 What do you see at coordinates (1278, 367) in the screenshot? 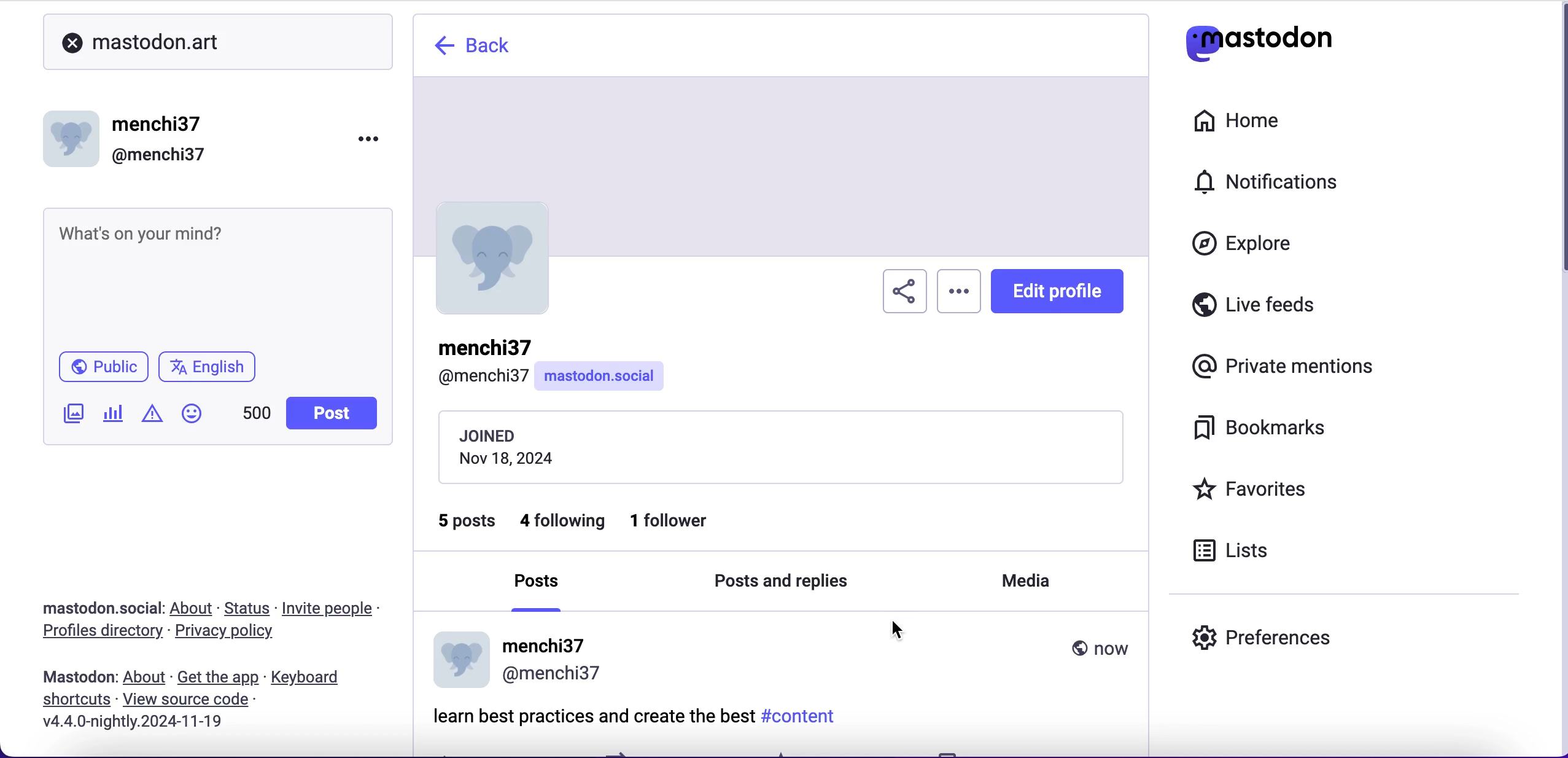
I see `private mentions` at bounding box center [1278, 367].